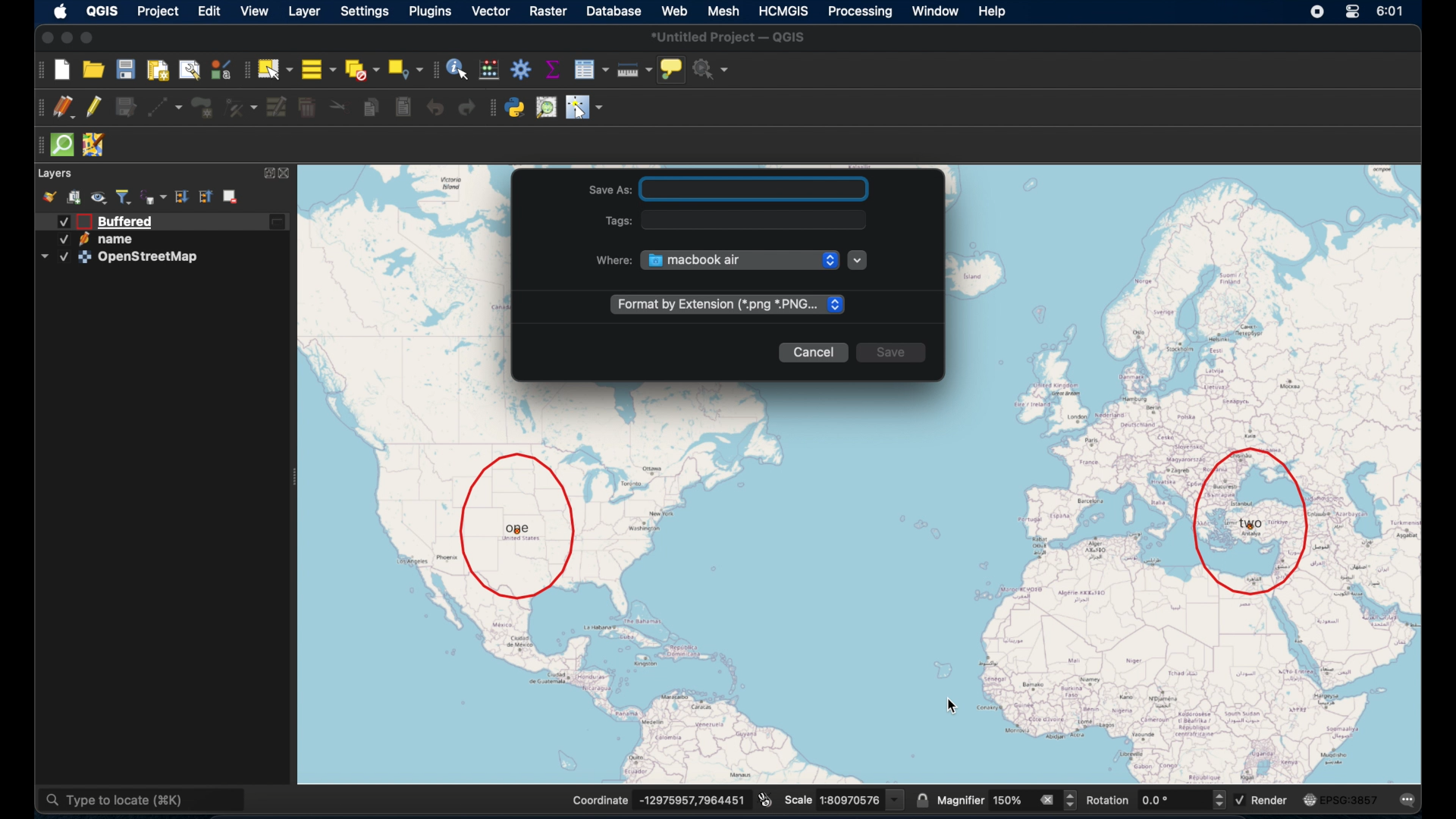 This screenshot has width=1456, height=819. What do you see at coordinates (1254, 519) in the screenshot?
I see `location two` at bounding box center [1254, 519].